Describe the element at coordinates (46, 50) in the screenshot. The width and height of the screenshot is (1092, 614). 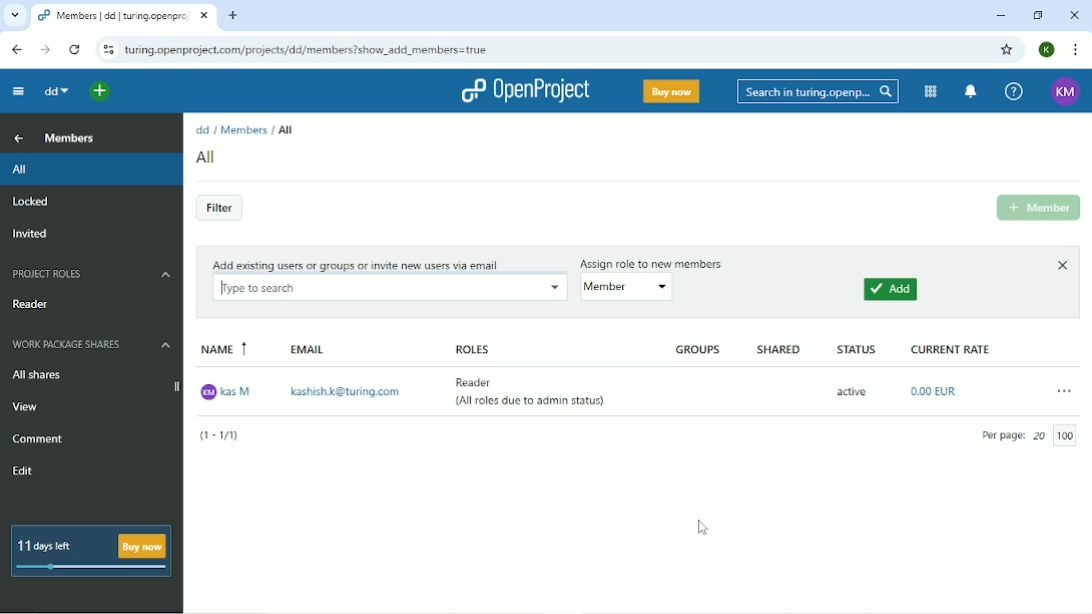
I see `Forward` at that location.